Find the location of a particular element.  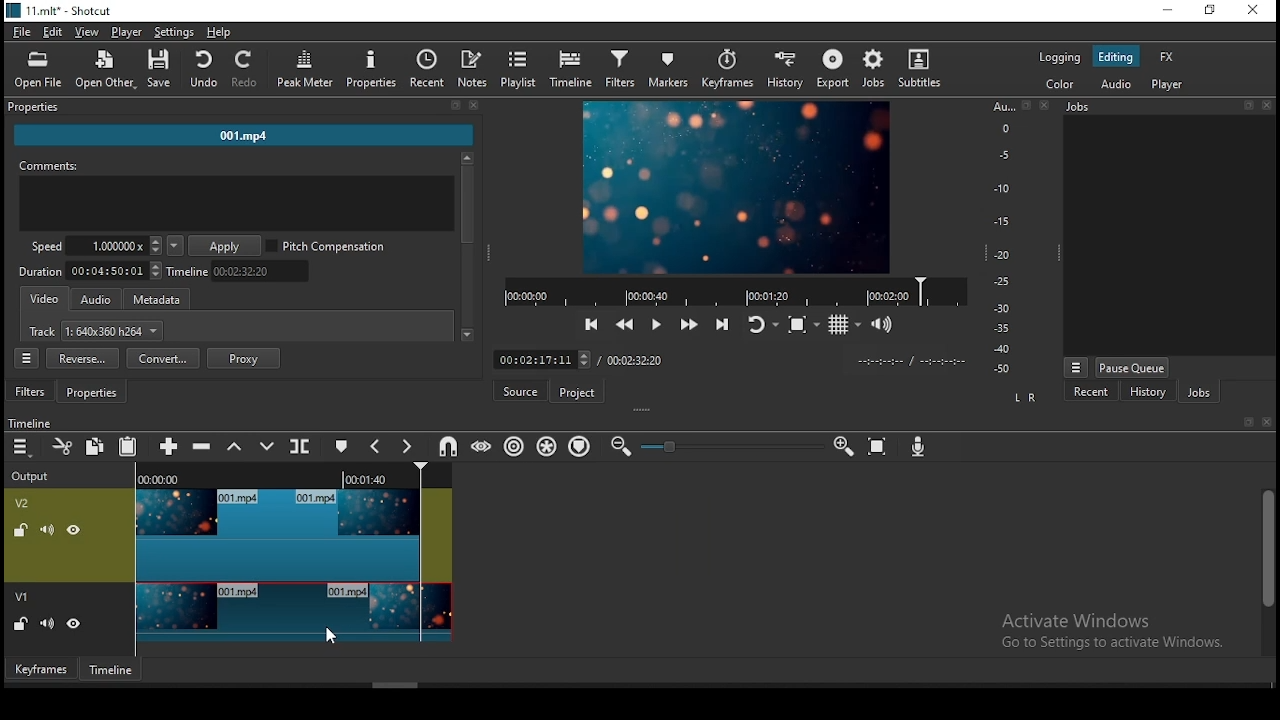

subtitles is located at coordinates (923, 69).